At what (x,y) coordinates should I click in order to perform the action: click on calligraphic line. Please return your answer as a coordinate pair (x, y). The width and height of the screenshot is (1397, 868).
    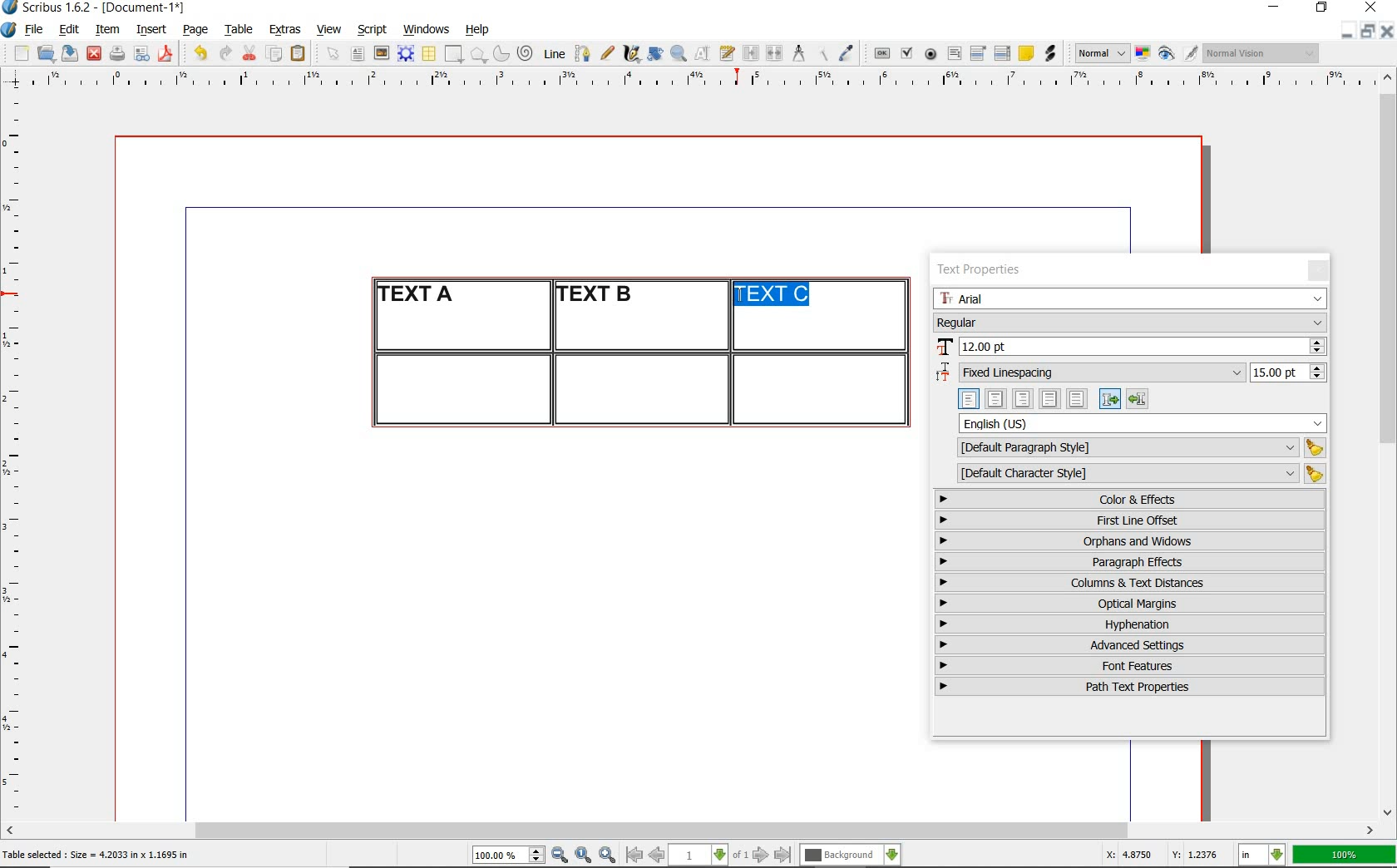
    Looking at the image, I should click on (633, 53).